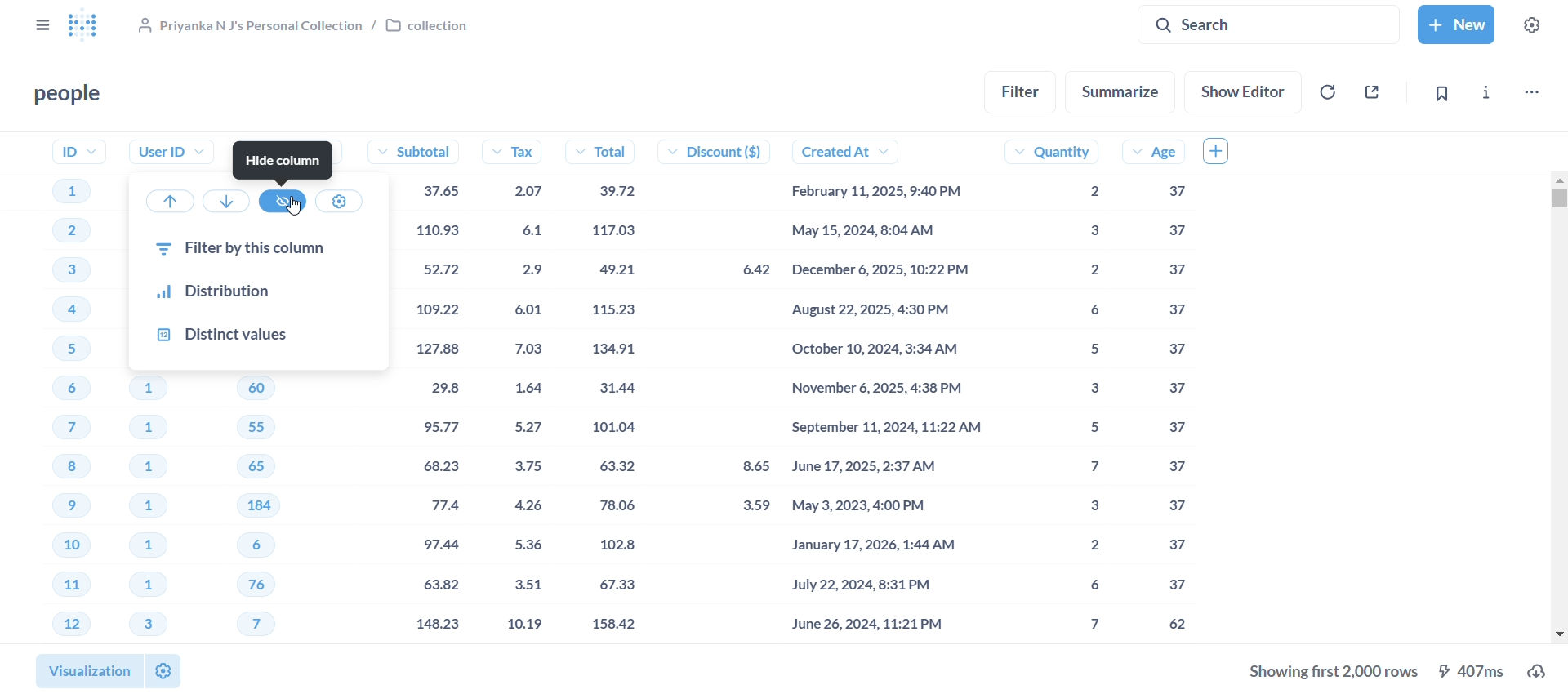 Image resolution: width=1568 pixels, height=694 pixels. I want to click on user ID's, so click(167, 507).